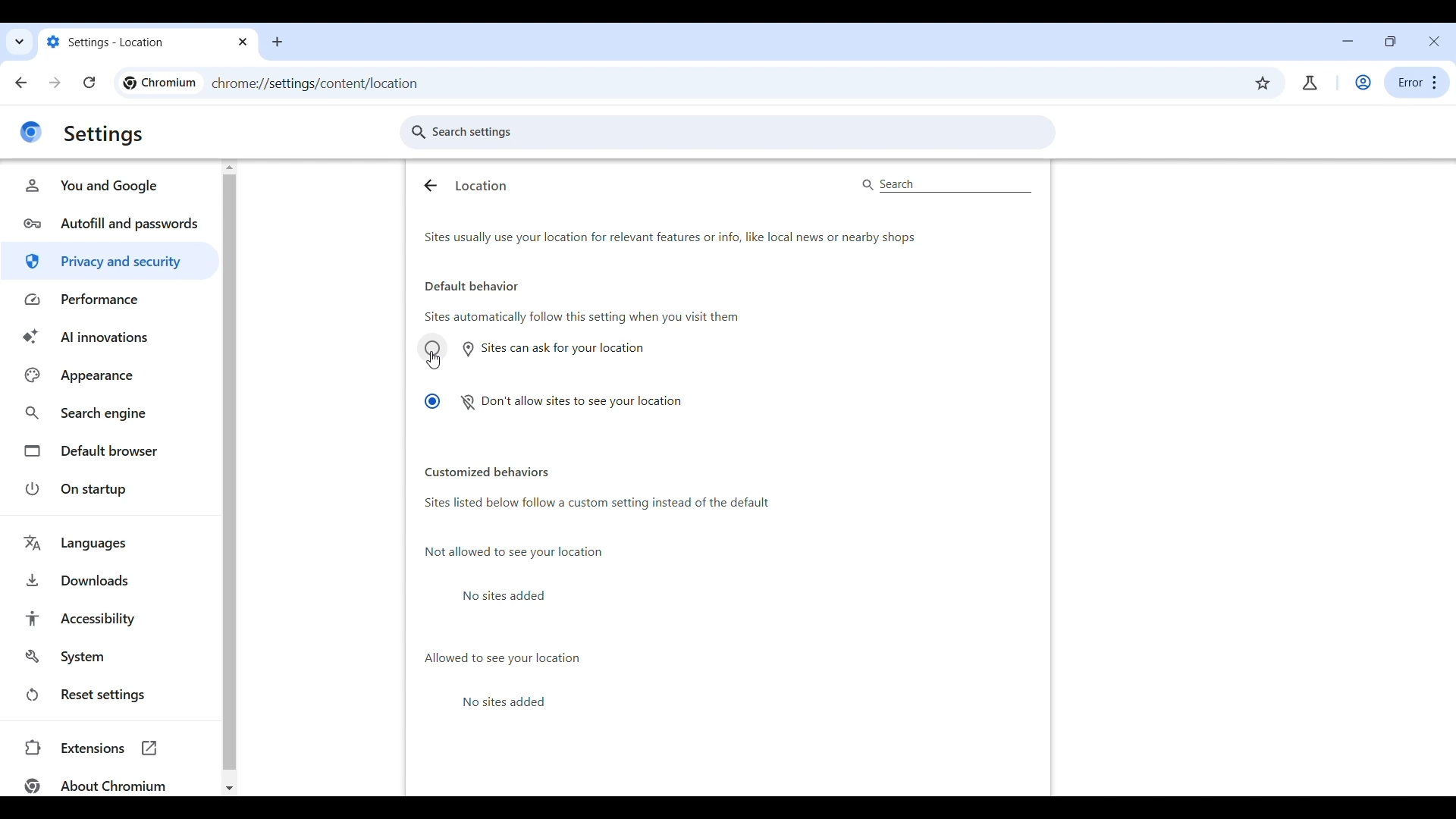  What do you see at coordinates (1448, 789) in the screenshot?
I see `Quick slide to bottom` at bounding box center [1448, 789].